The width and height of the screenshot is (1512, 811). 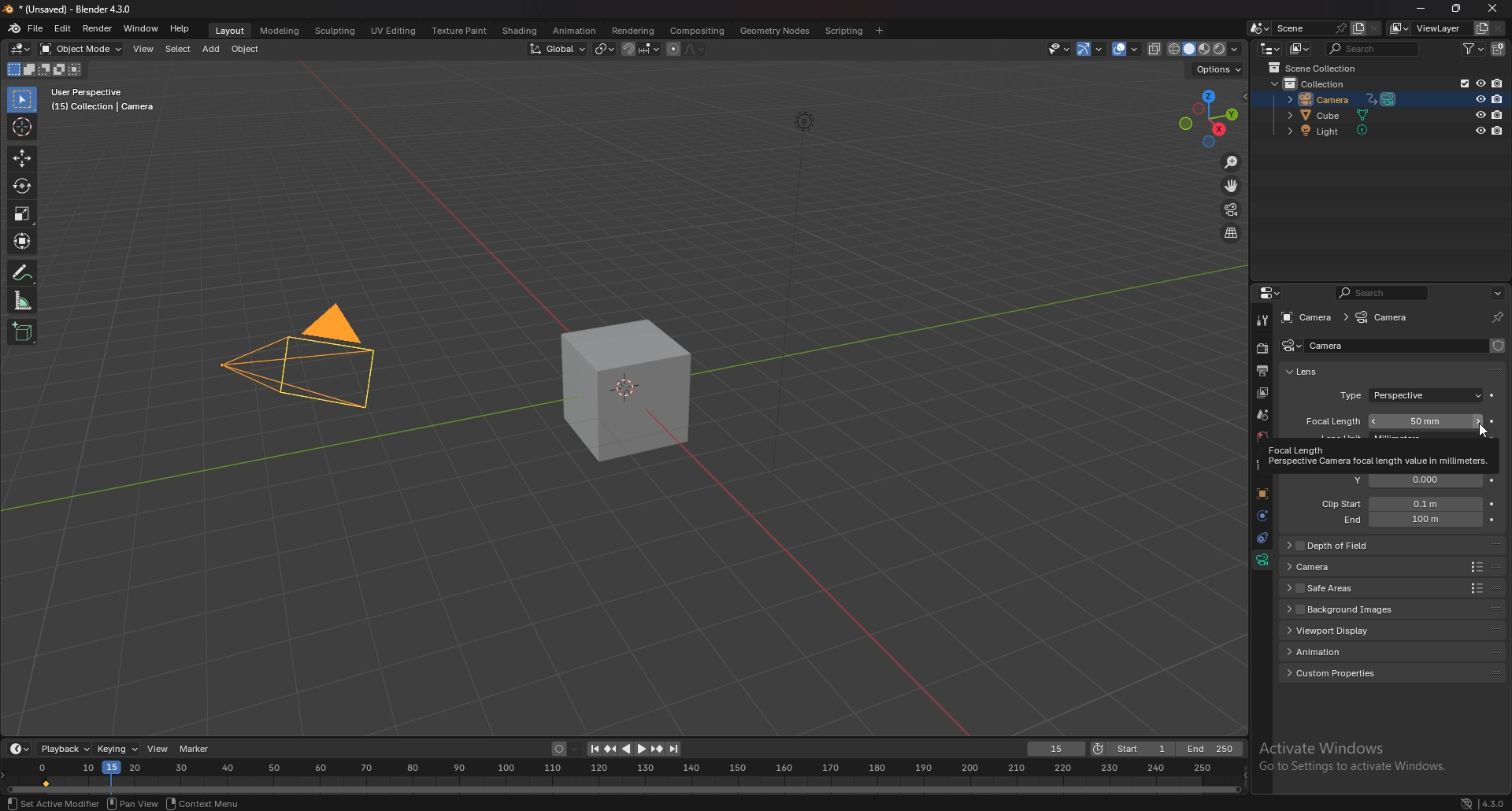 What do you see at coordinates (1232, 209) in the screenshot?
I see `camera view` at bounding box center [1232, 209].